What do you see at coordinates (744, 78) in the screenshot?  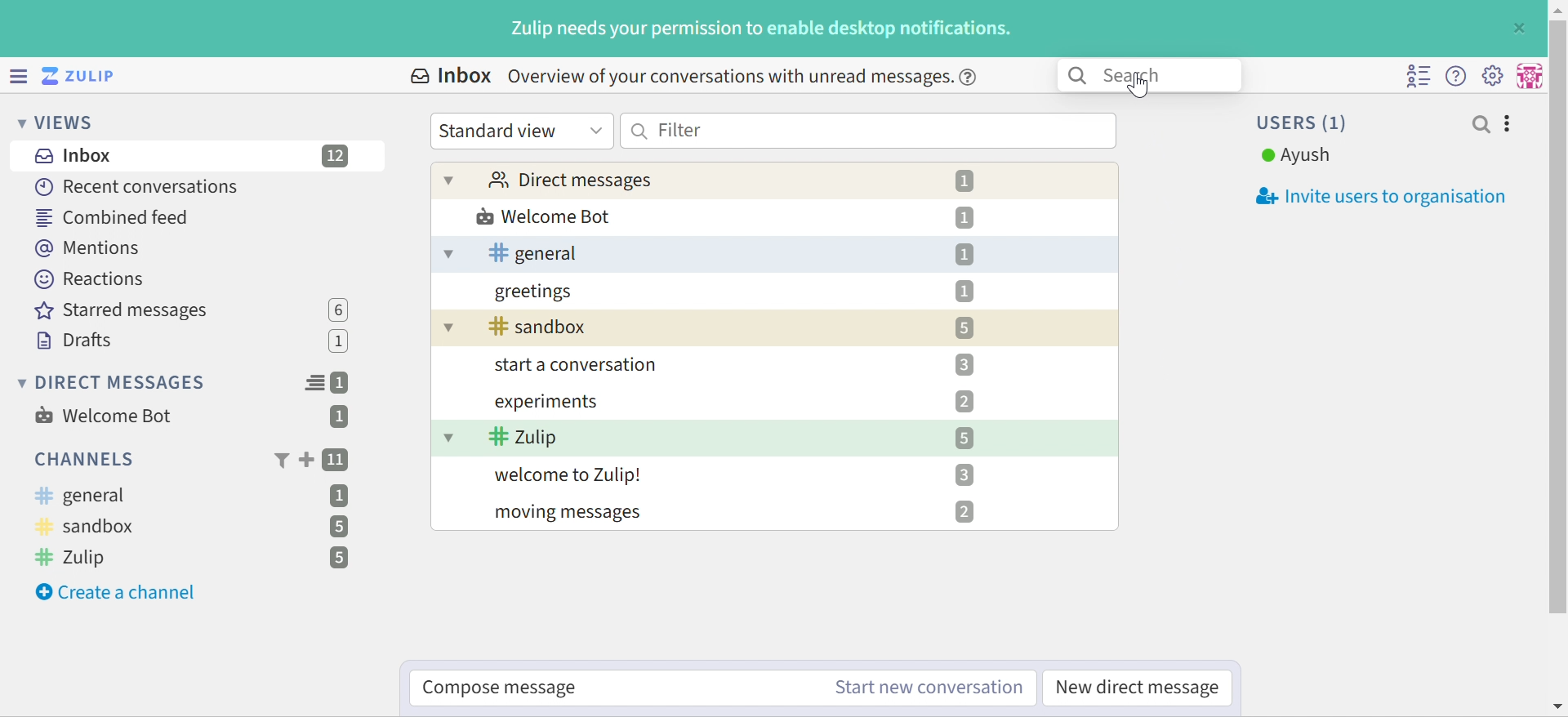 I see `Overview of your conversations wit unread messages.` at bounding box center [744, 78].